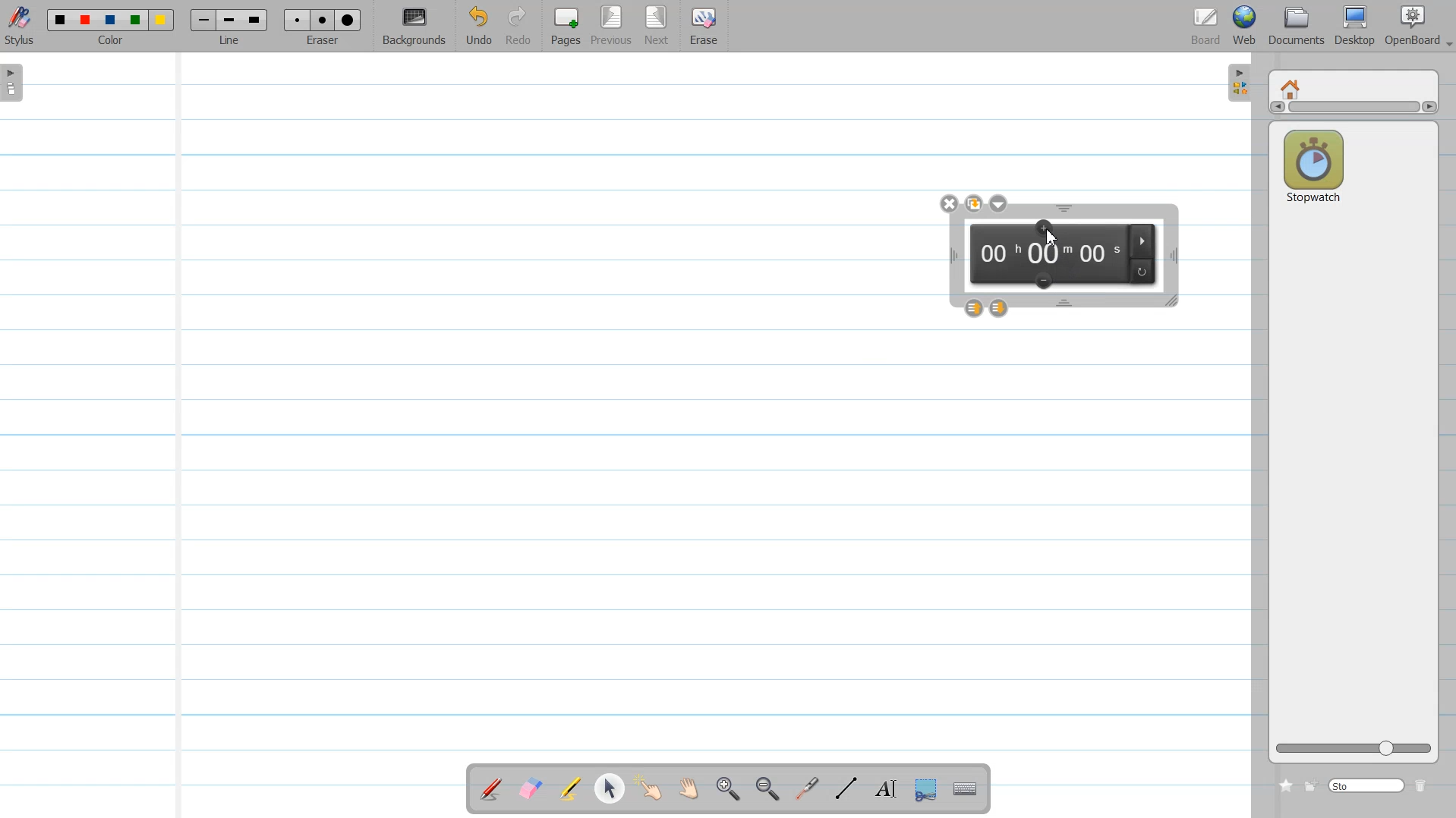 The width and height of the screenshot is (1456, 818). I want to click on Draw Line, so click(846, 788).